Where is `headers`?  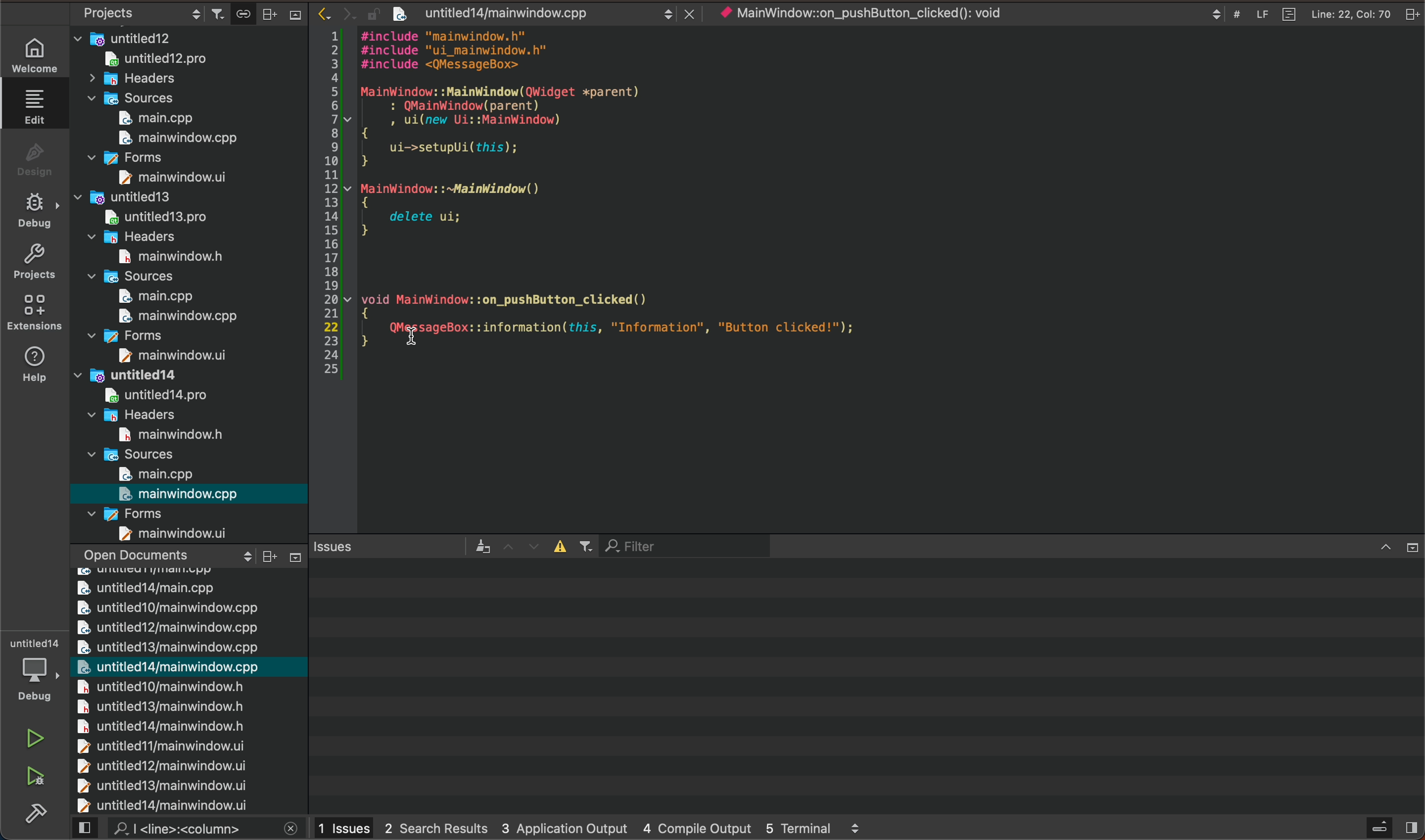
headers is located at coordinates (143, 236).